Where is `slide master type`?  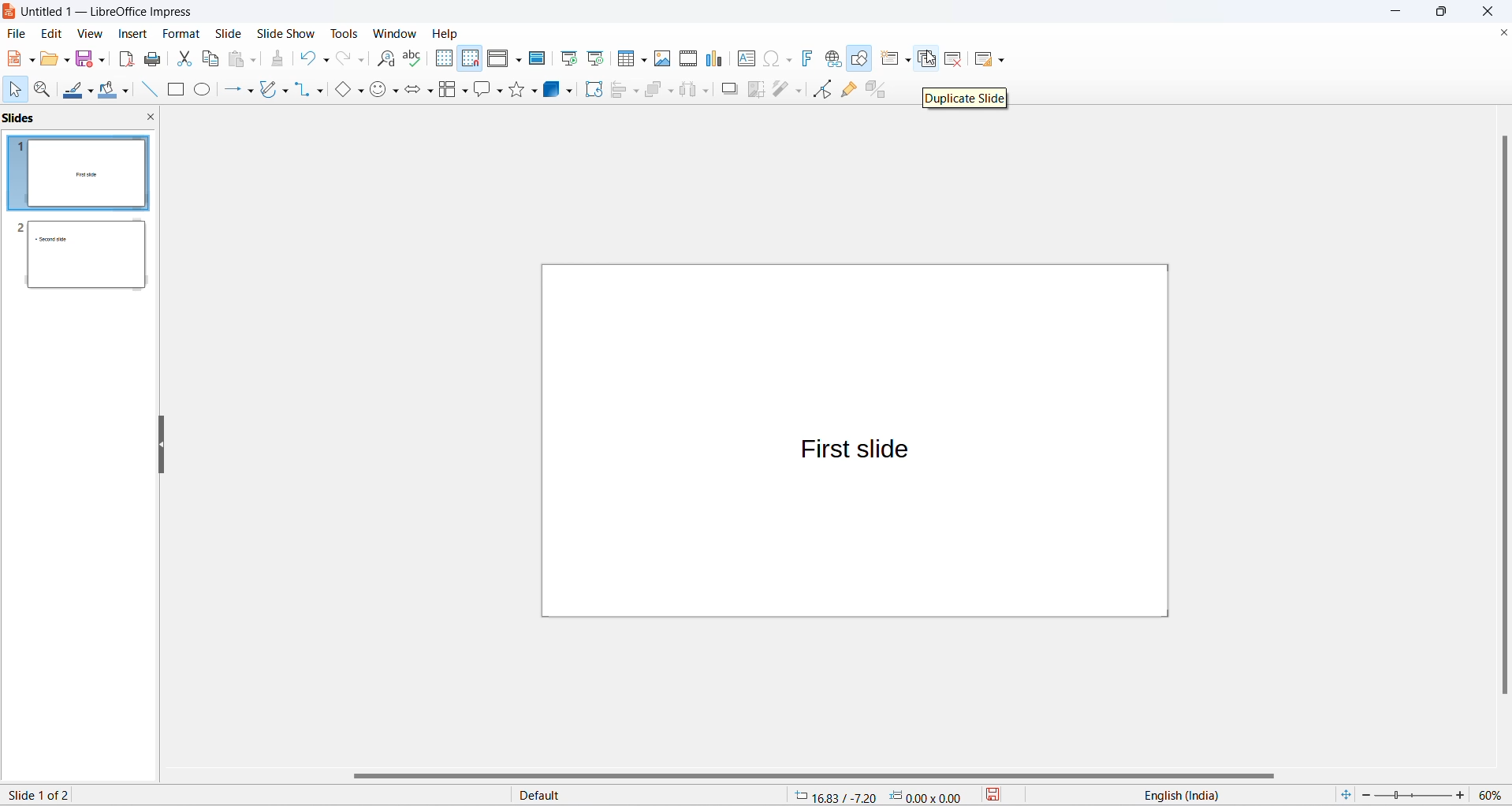
slide master type is located at coordinates (639, 796).